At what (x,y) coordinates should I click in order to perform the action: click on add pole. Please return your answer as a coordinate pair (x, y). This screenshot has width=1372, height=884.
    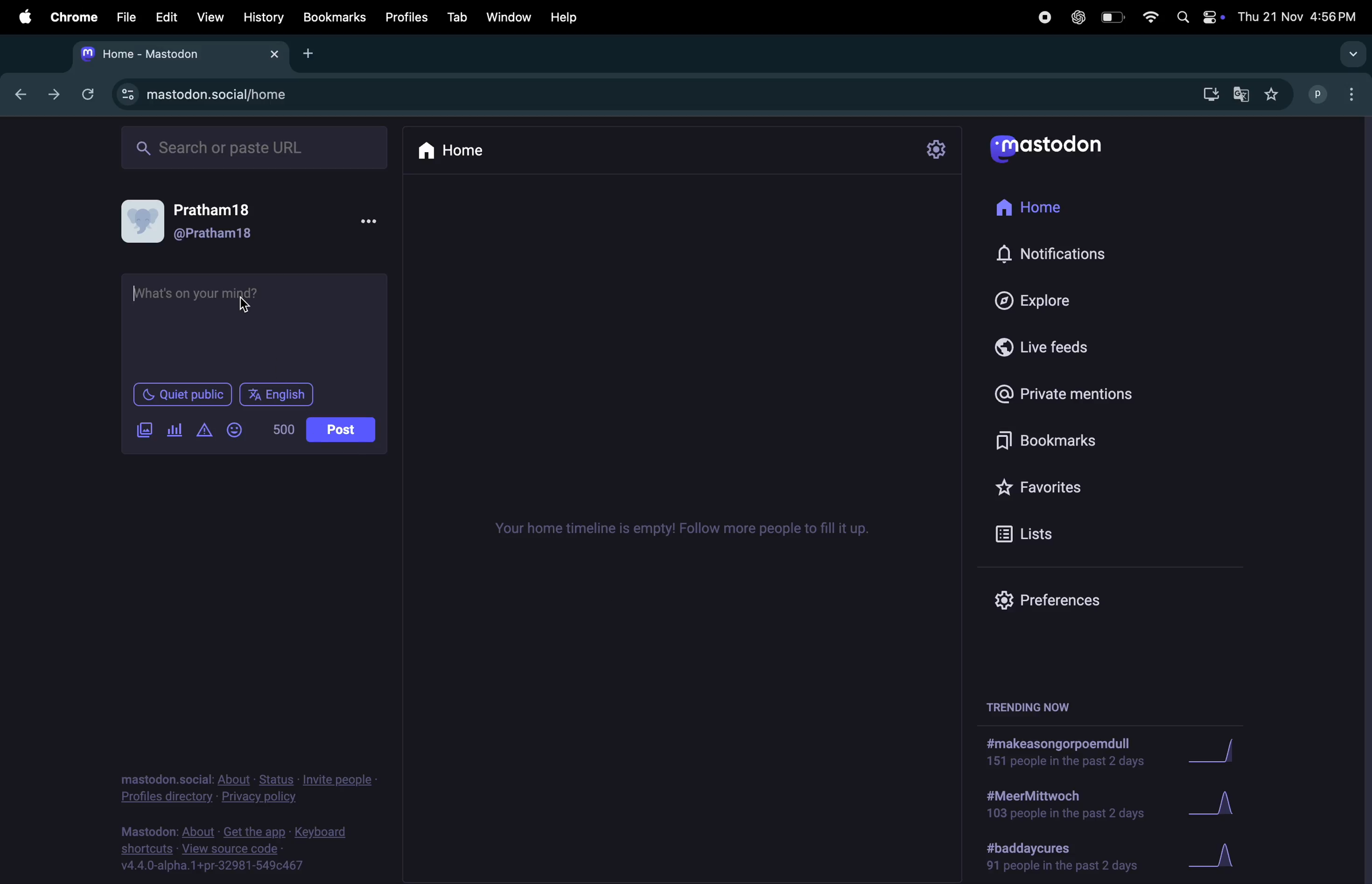
    Looking at the image, I should click on (174, 432).